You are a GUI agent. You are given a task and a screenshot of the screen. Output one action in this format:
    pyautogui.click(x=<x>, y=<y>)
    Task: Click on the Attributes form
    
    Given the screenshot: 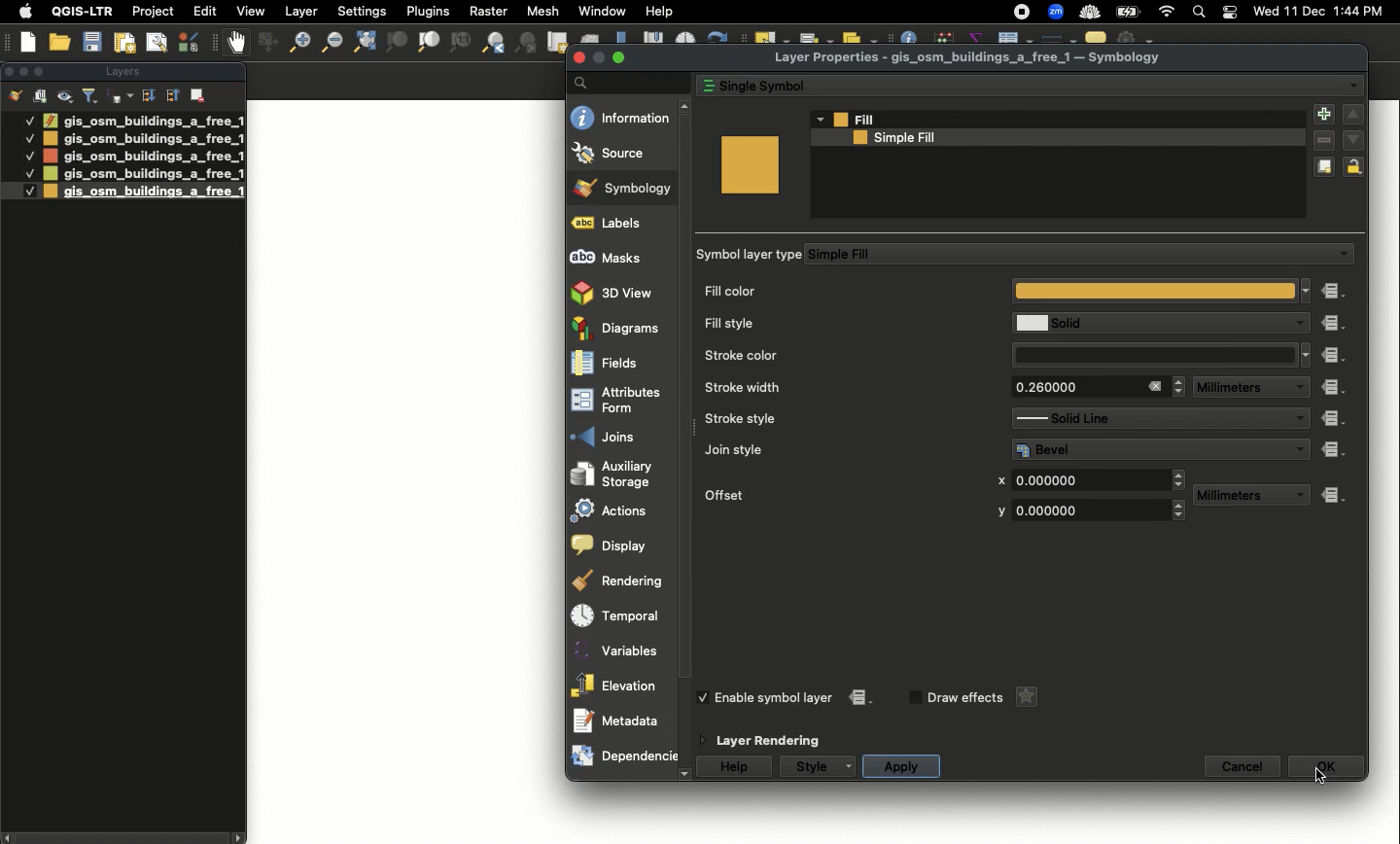 What is the action you would take?
    pyautogui.click(x=622, y=402)
    